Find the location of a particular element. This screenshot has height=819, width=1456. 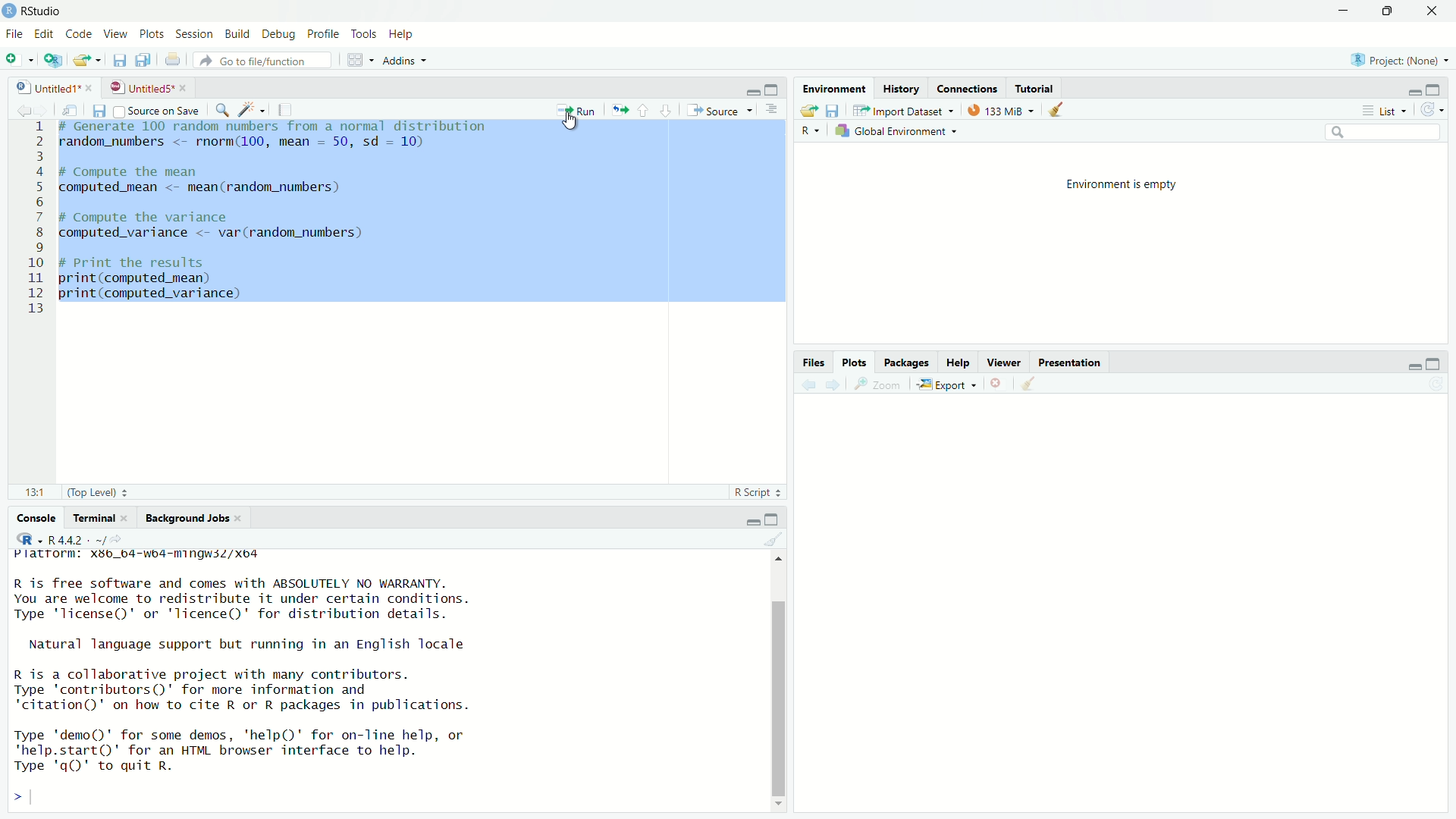

clear console is located at coordinates (773, 538).